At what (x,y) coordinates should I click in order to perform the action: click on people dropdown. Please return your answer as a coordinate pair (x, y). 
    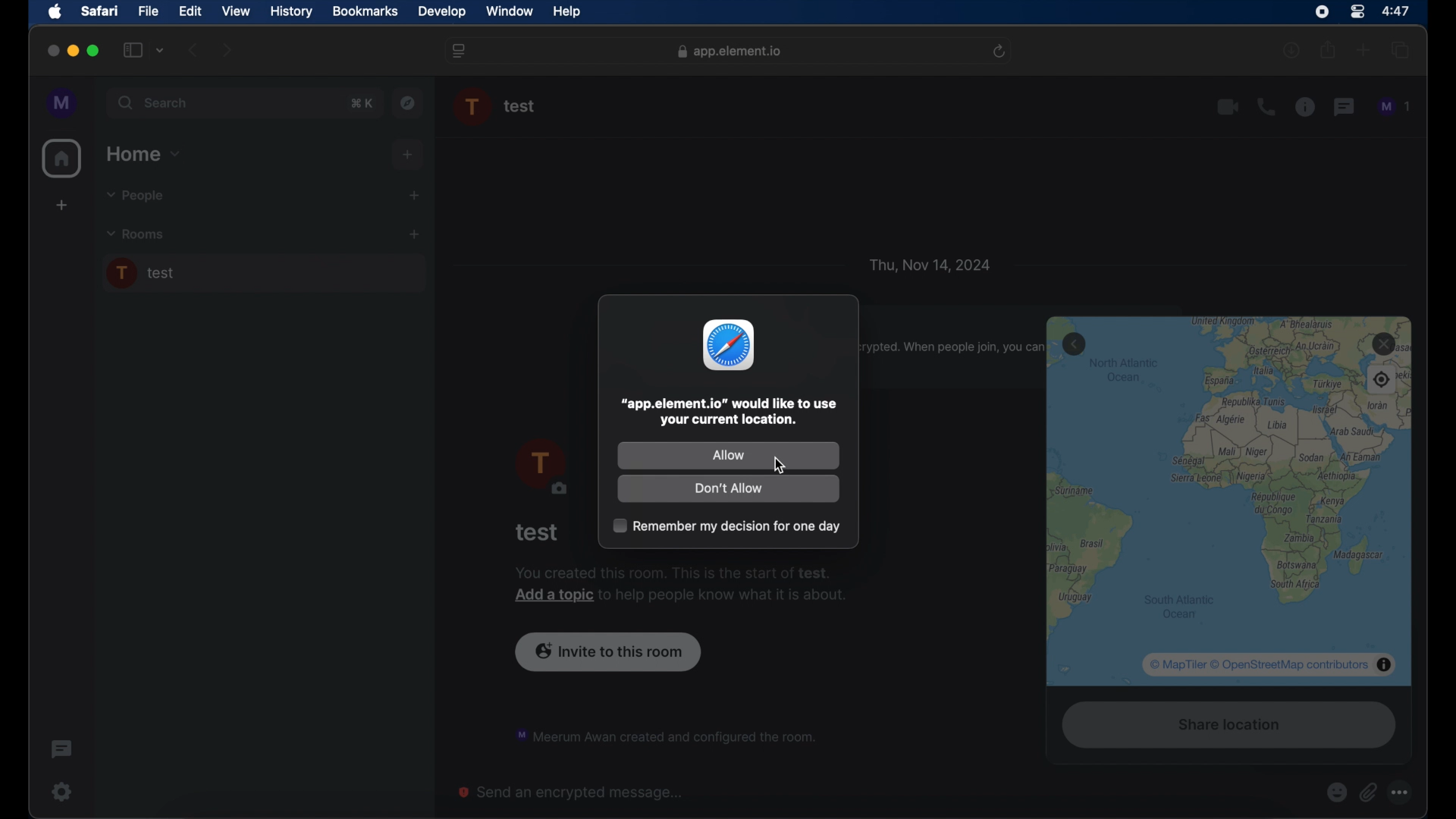
    Looking at the image, I should click on (133, 196).